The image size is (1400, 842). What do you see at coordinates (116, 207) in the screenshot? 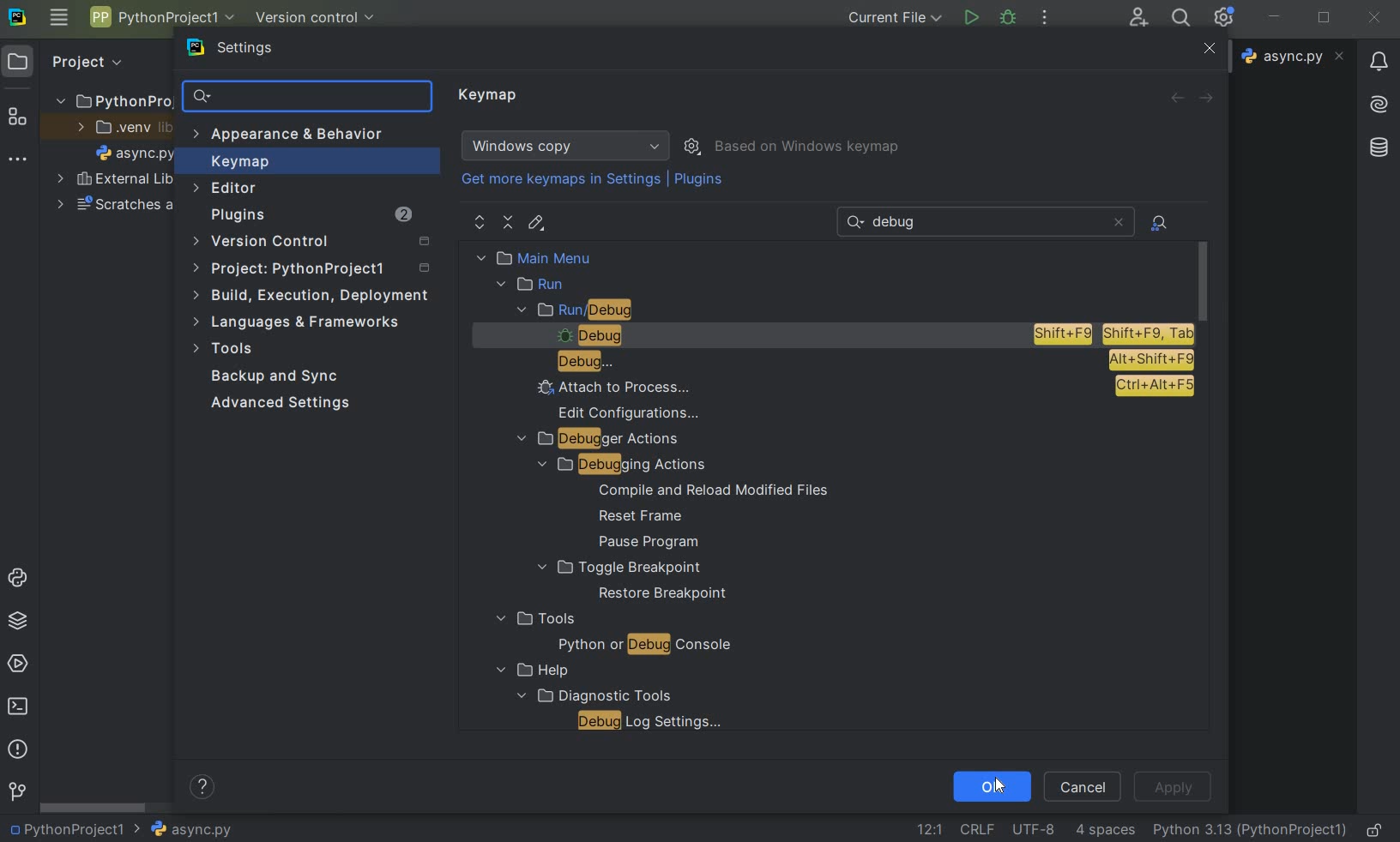
I see `scratches and consoles` at bounding box center [116, 207].